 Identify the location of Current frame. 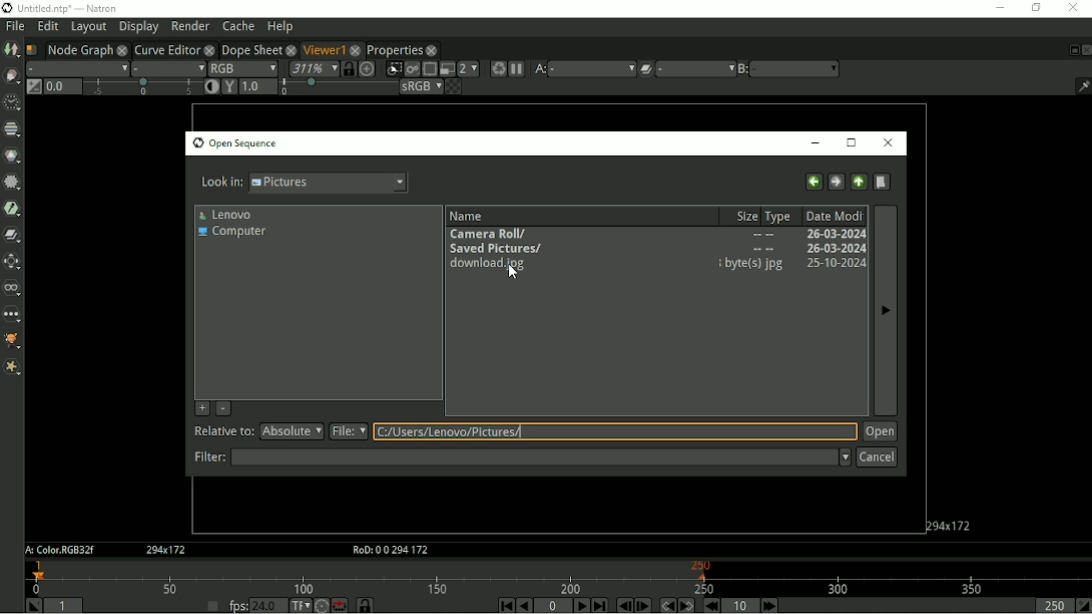
(553, 606).